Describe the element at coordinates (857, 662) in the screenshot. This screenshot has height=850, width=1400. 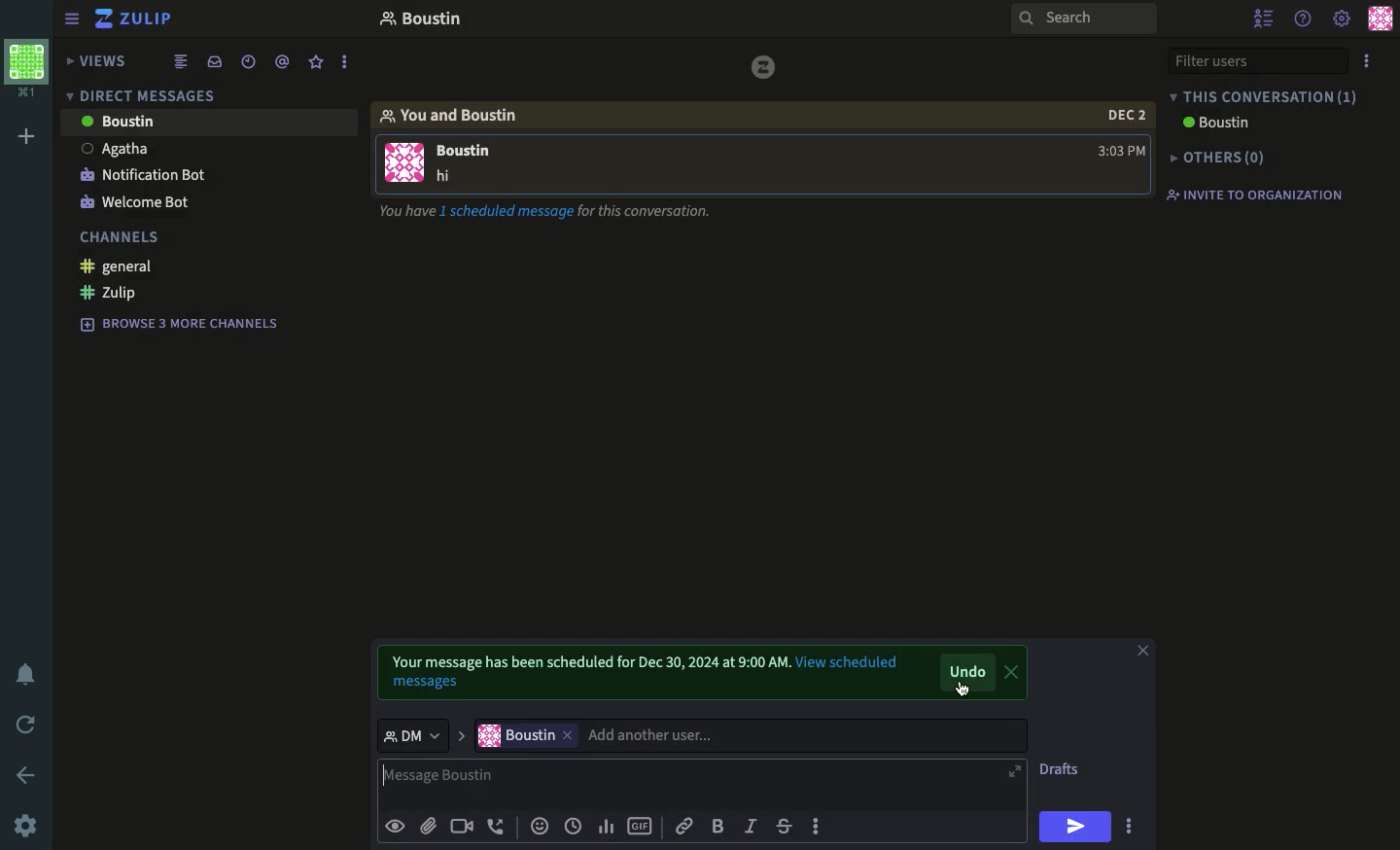
I see `view scheduled messages` at that location.